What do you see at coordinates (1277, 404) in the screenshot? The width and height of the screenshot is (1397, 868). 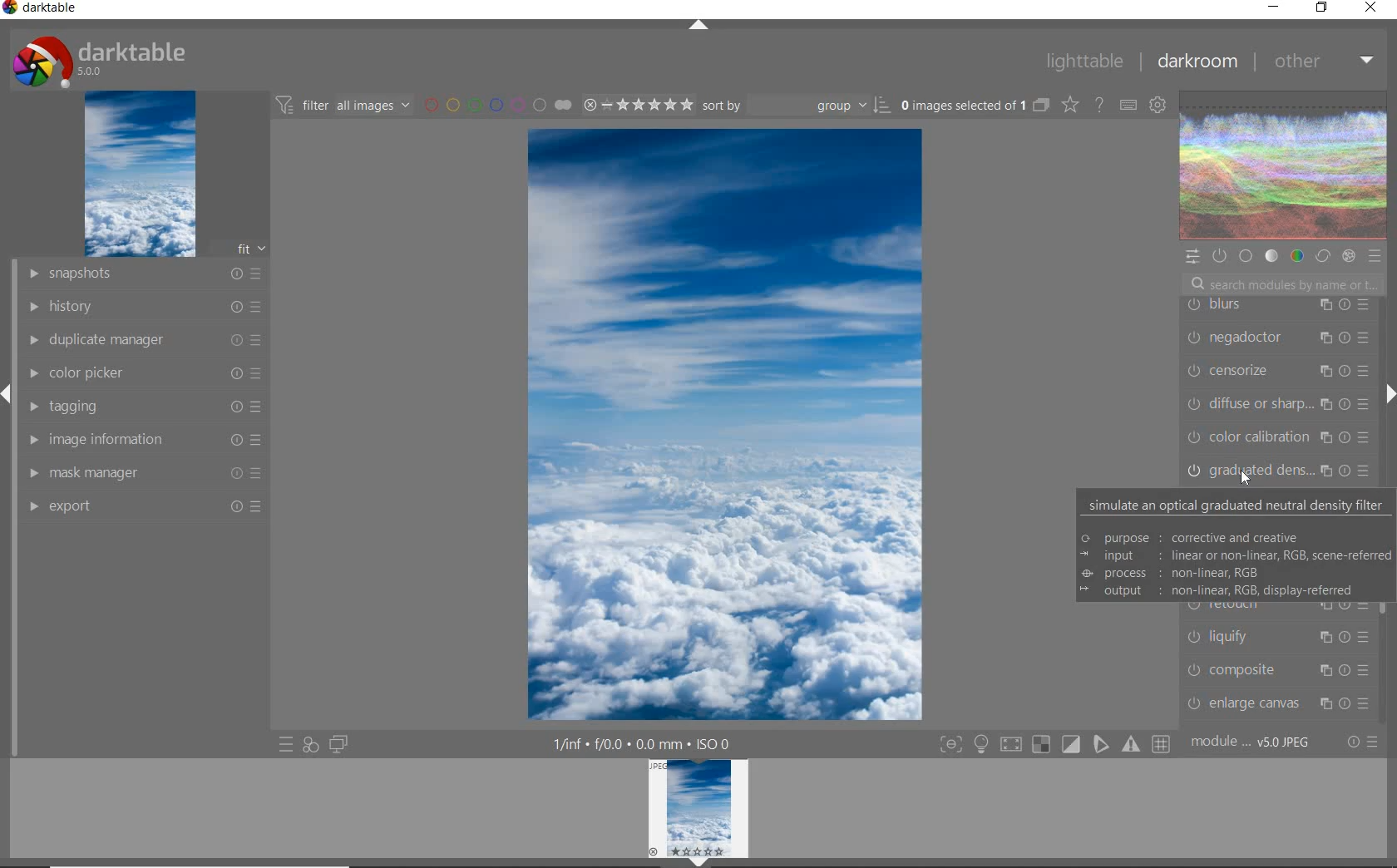 I see `diffuse or sharpen` at bounding box center [1277, 404].